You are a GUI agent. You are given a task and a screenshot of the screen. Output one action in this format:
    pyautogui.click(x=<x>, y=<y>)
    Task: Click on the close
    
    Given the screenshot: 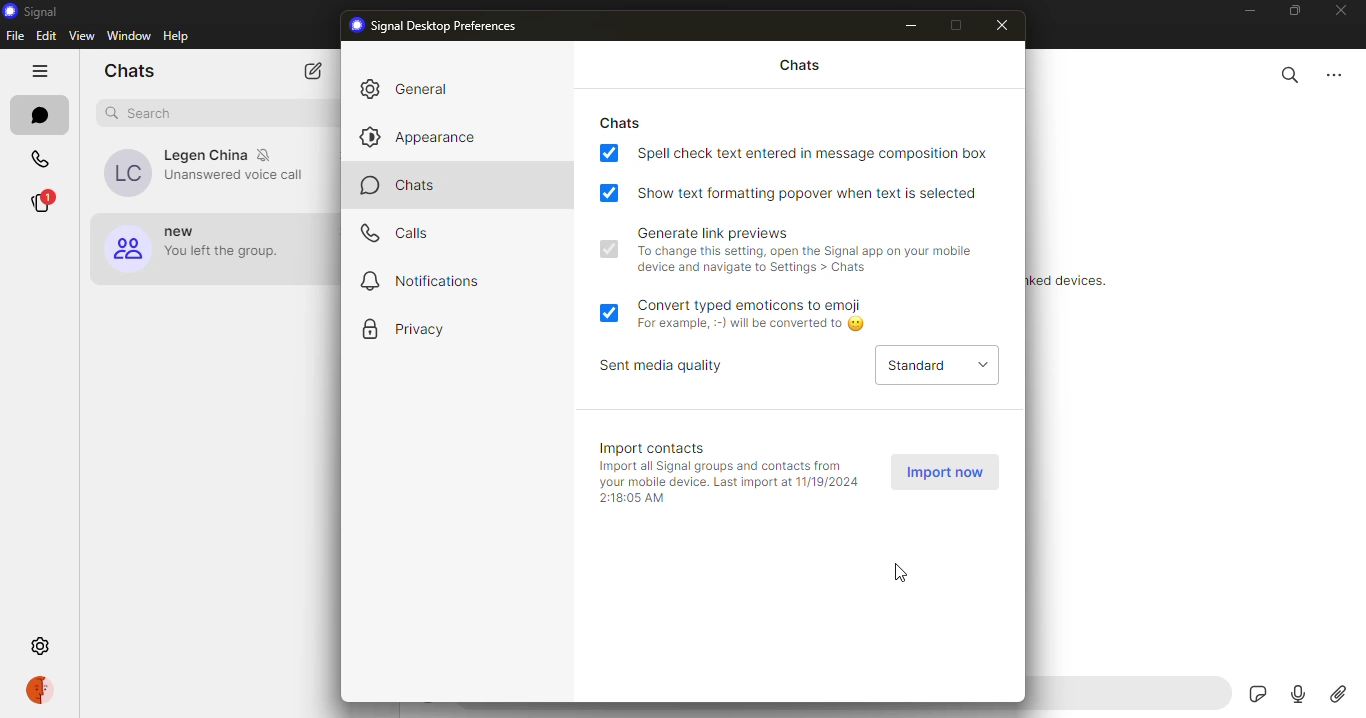 What is the action you would take?
    pyautogui.click(x=1006, y=25)
    